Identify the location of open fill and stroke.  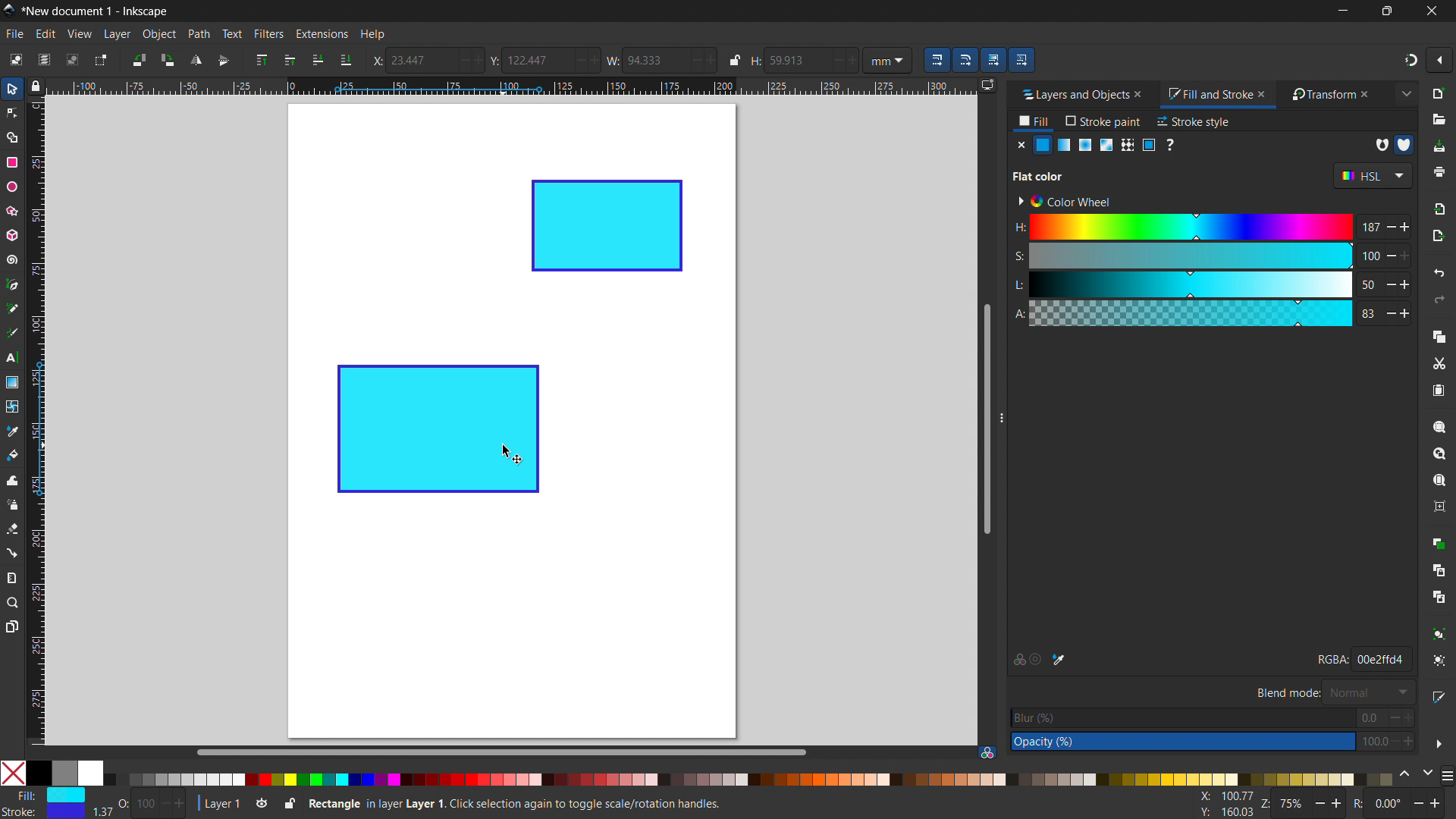
(1440, 696).